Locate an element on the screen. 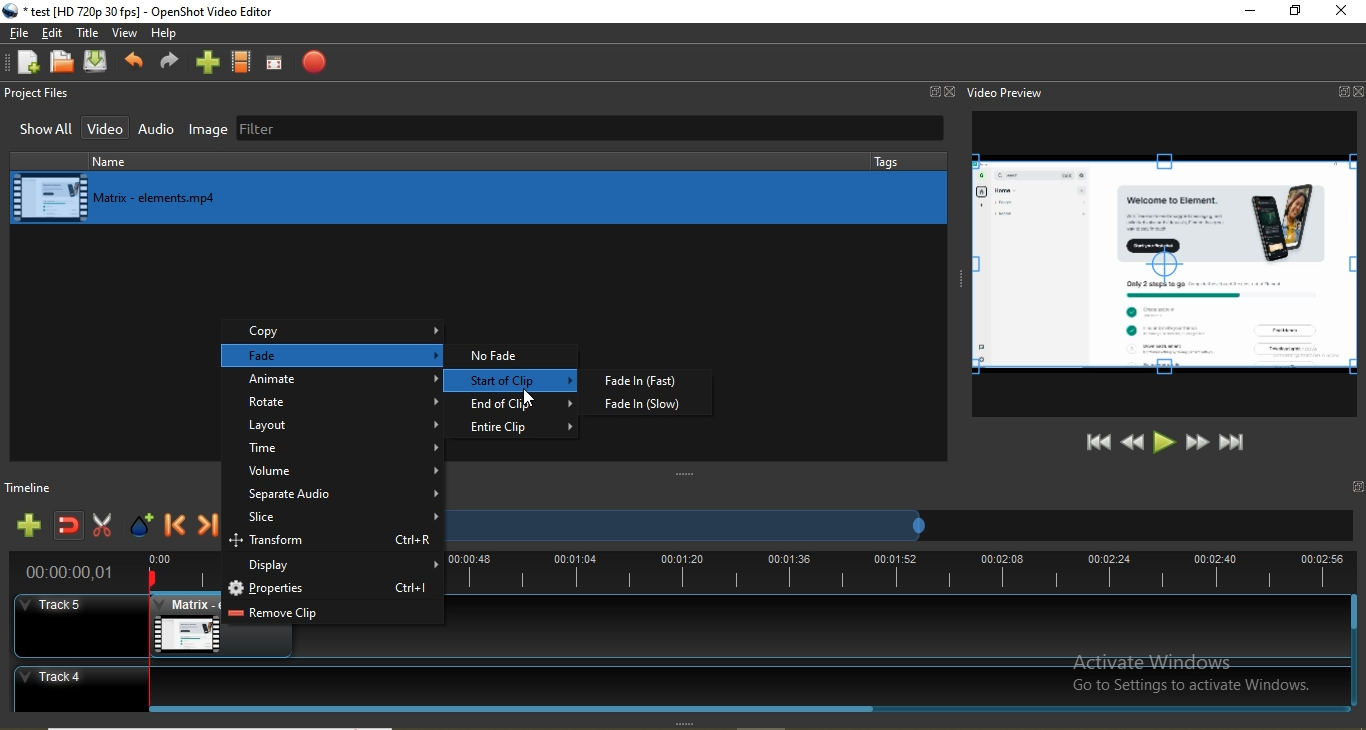 The height and width of the screenshot is (730, 1366). View  is located at coordinates (127, 34).